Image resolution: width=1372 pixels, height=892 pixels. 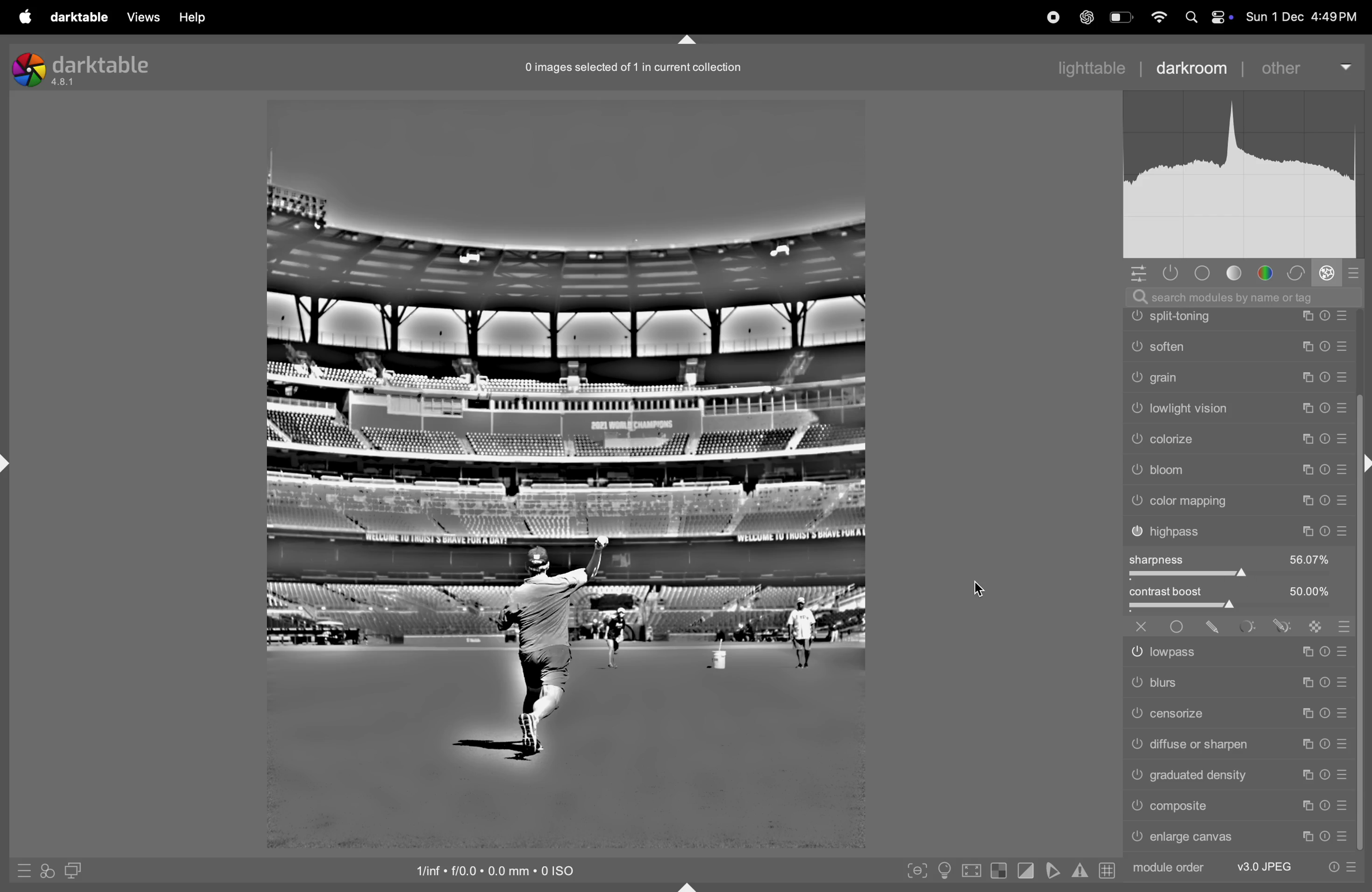 What do you see at coordinates (45, 873) in the screenshot?
I see `quick acess applying styles` at bounding box center [45, 873].